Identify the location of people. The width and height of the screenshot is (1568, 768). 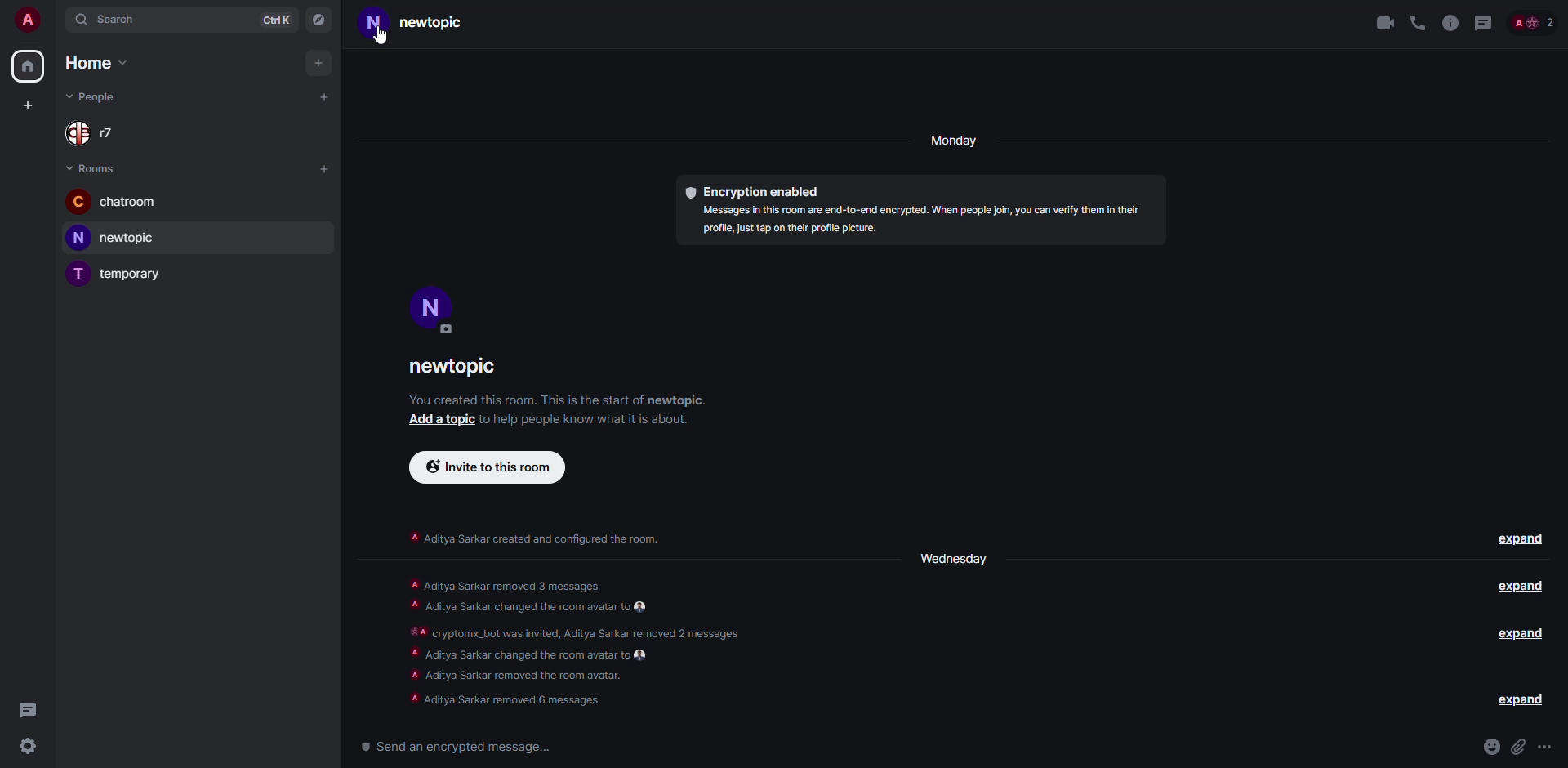
(101, 97).